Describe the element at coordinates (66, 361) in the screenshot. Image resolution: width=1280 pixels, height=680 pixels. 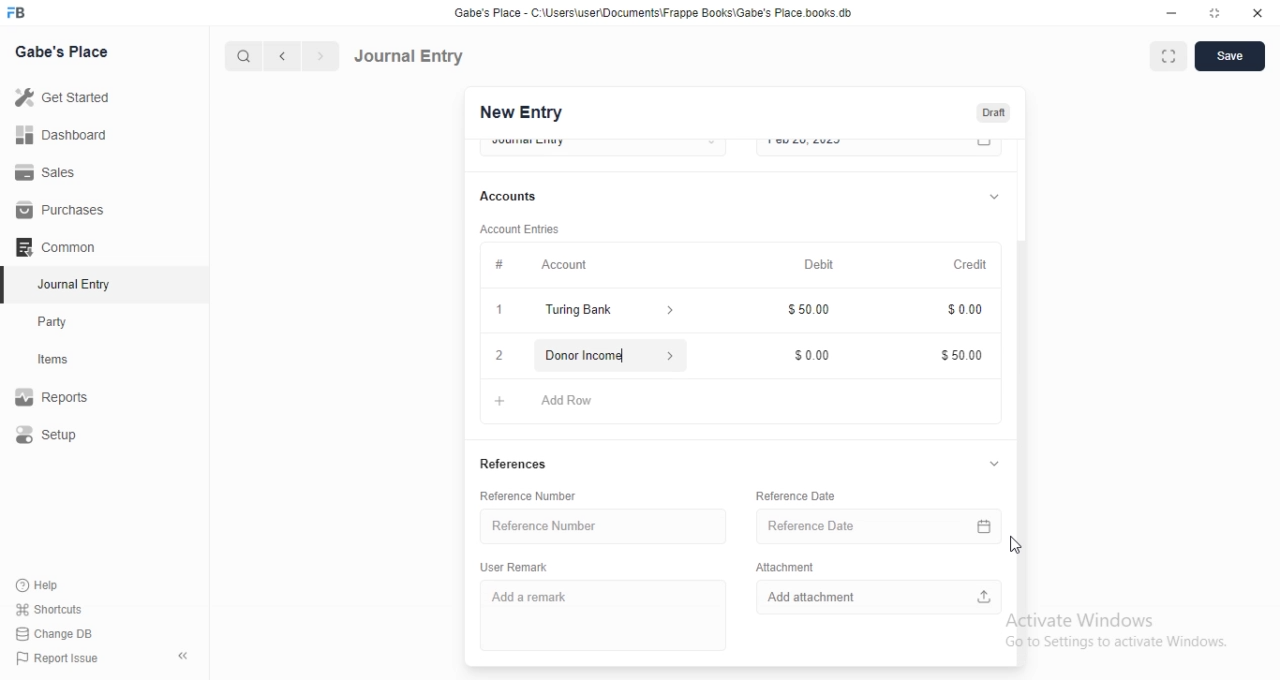
I see `items` at that location.